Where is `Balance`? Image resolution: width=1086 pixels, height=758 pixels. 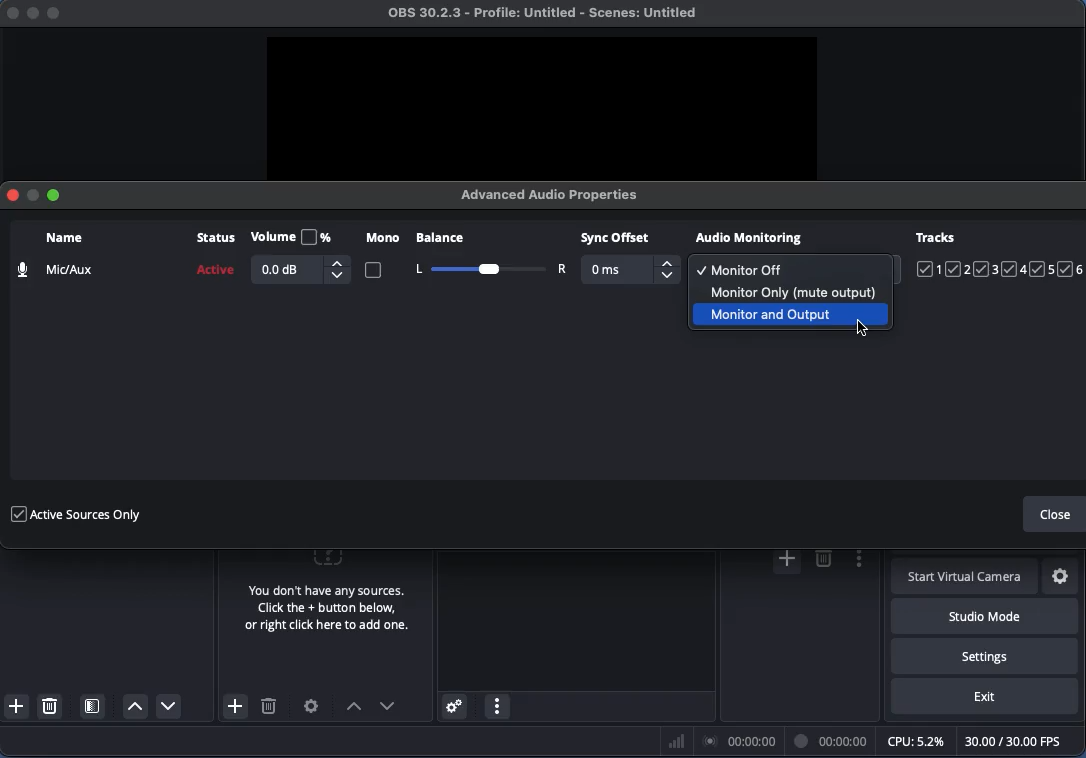 Balance is located at coordinates (487, 269).